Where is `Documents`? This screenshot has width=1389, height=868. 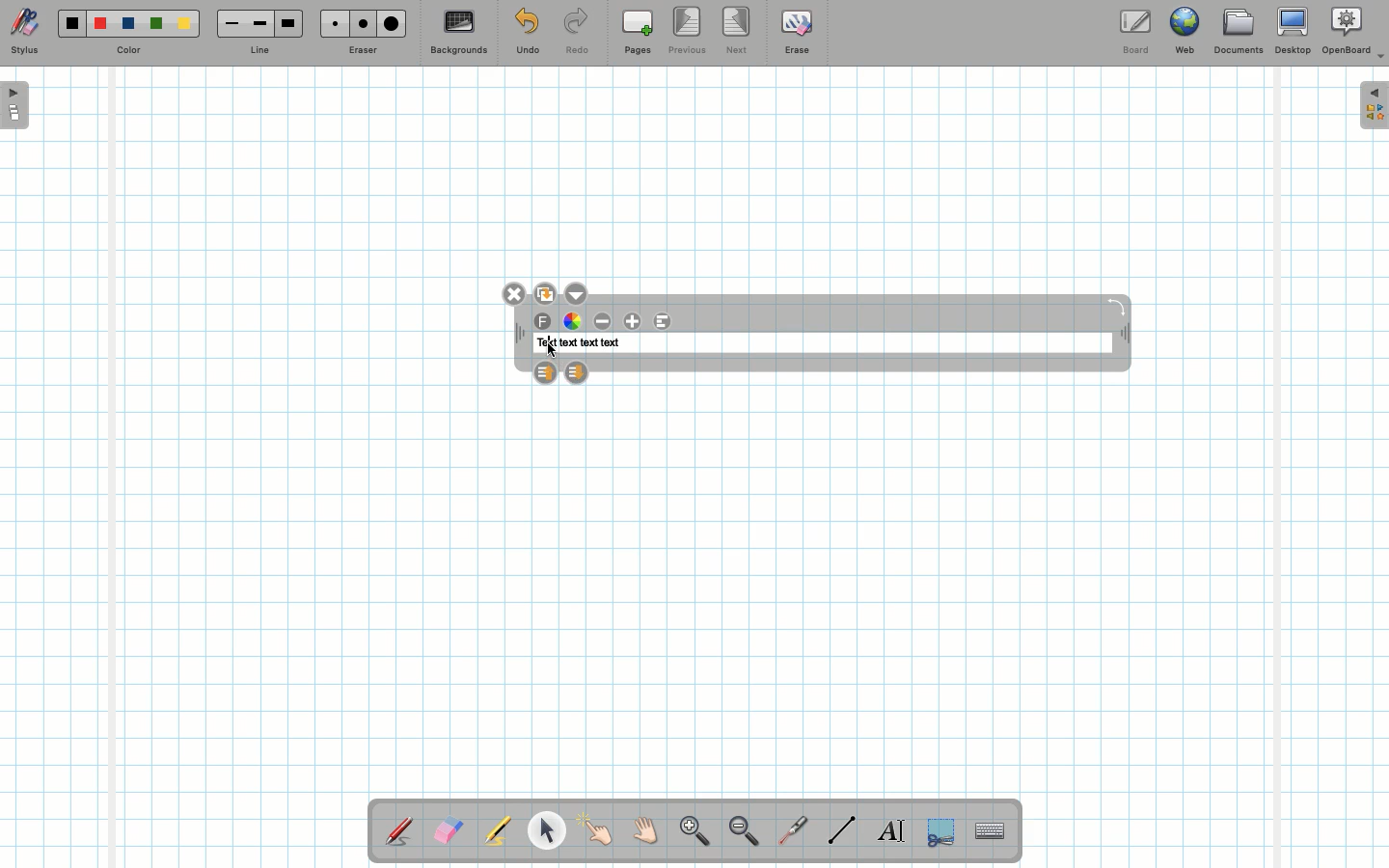 Documents is located at coordinates (1238, 34).